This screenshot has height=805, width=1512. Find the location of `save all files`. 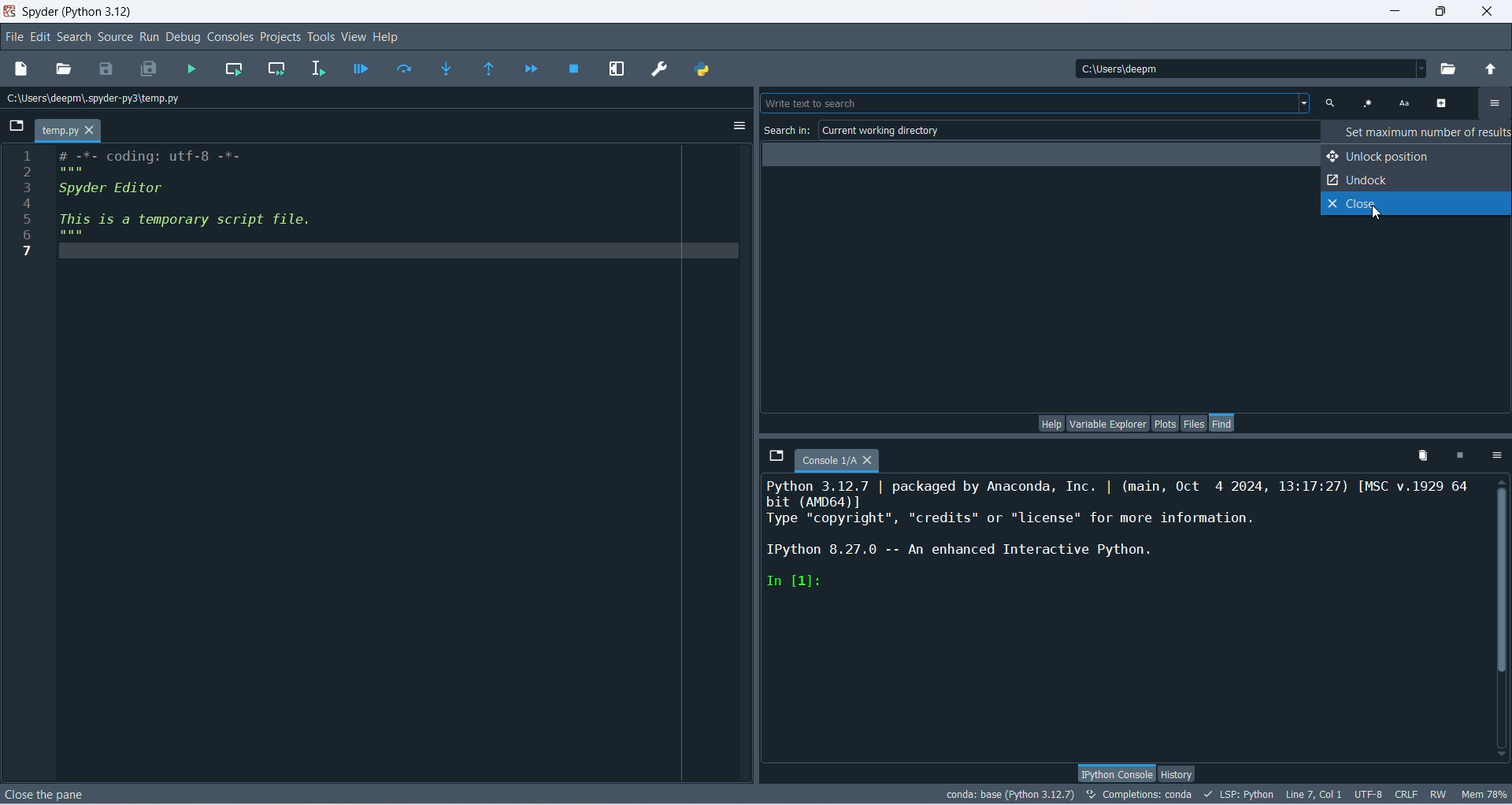

save all files is located at coordinates (150, 69).